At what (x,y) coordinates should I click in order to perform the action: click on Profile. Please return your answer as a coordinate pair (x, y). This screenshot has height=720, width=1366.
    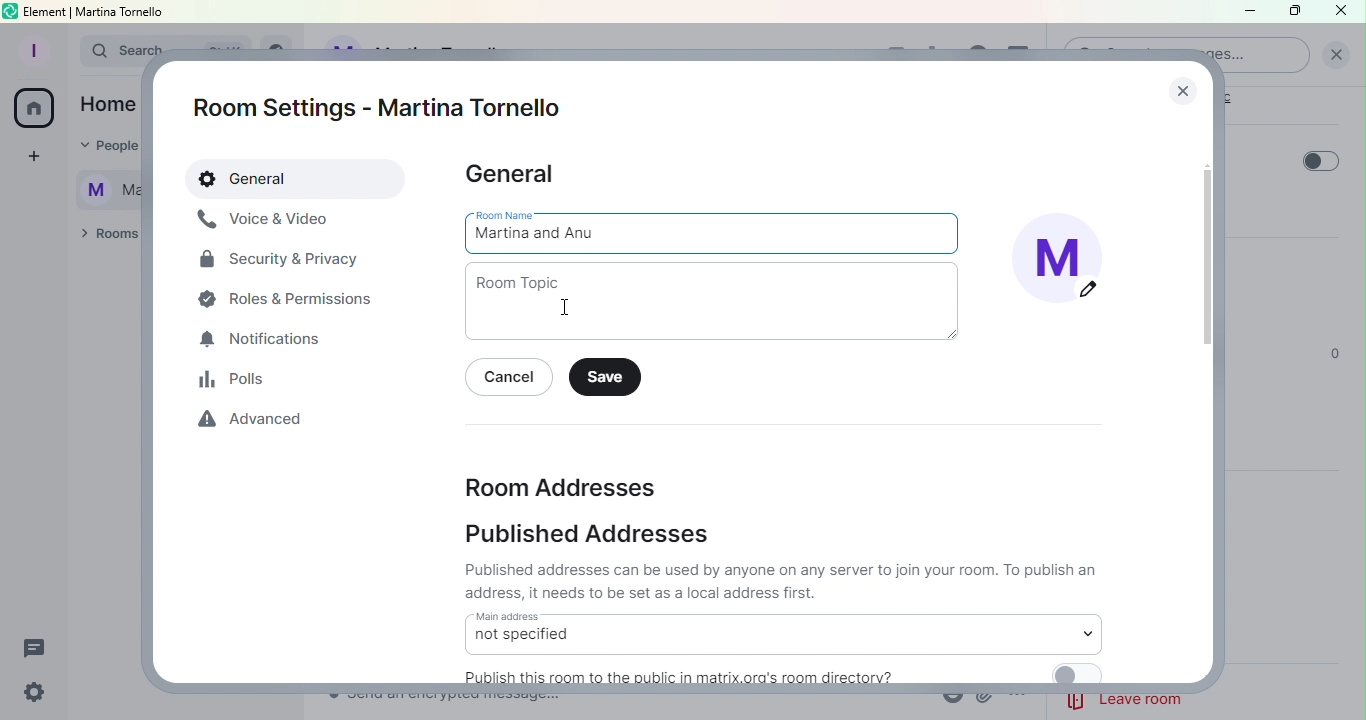
    Looking at the image, I should click on (31, 48).